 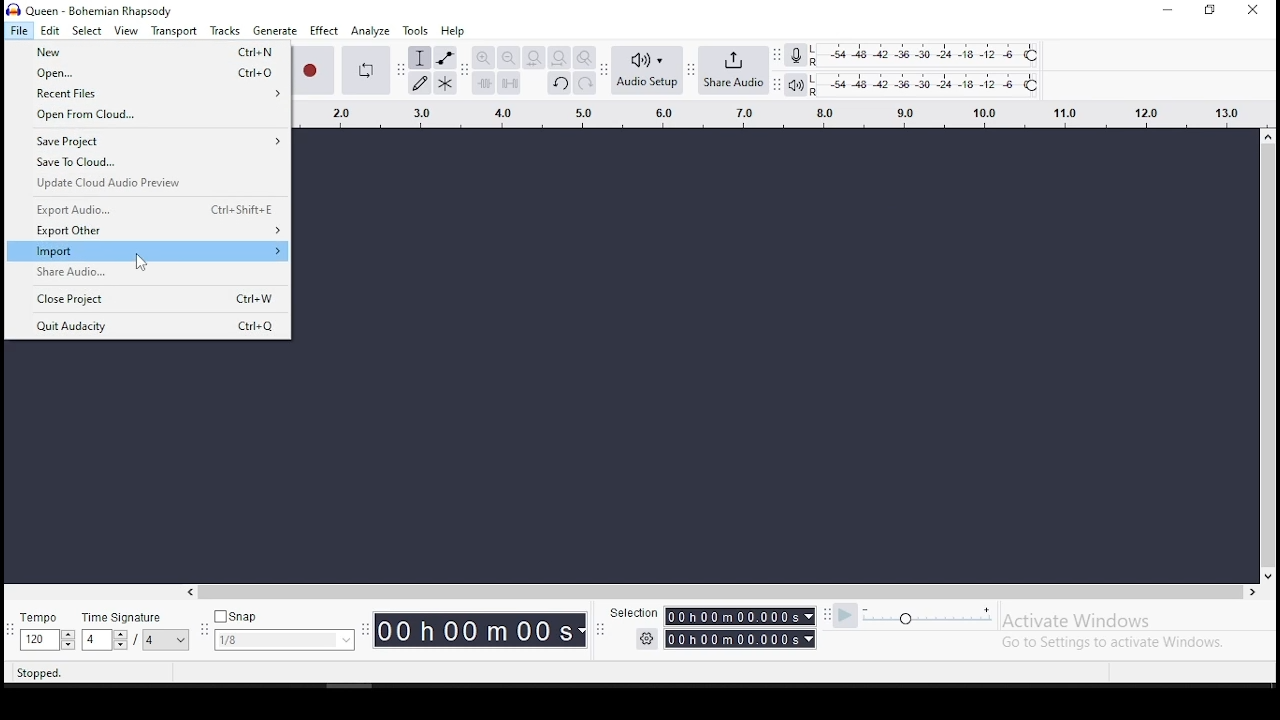 What do you see at coordinates (419, 59) in the screenshot?
I see `selection tool` at bounding box center [419, 59].